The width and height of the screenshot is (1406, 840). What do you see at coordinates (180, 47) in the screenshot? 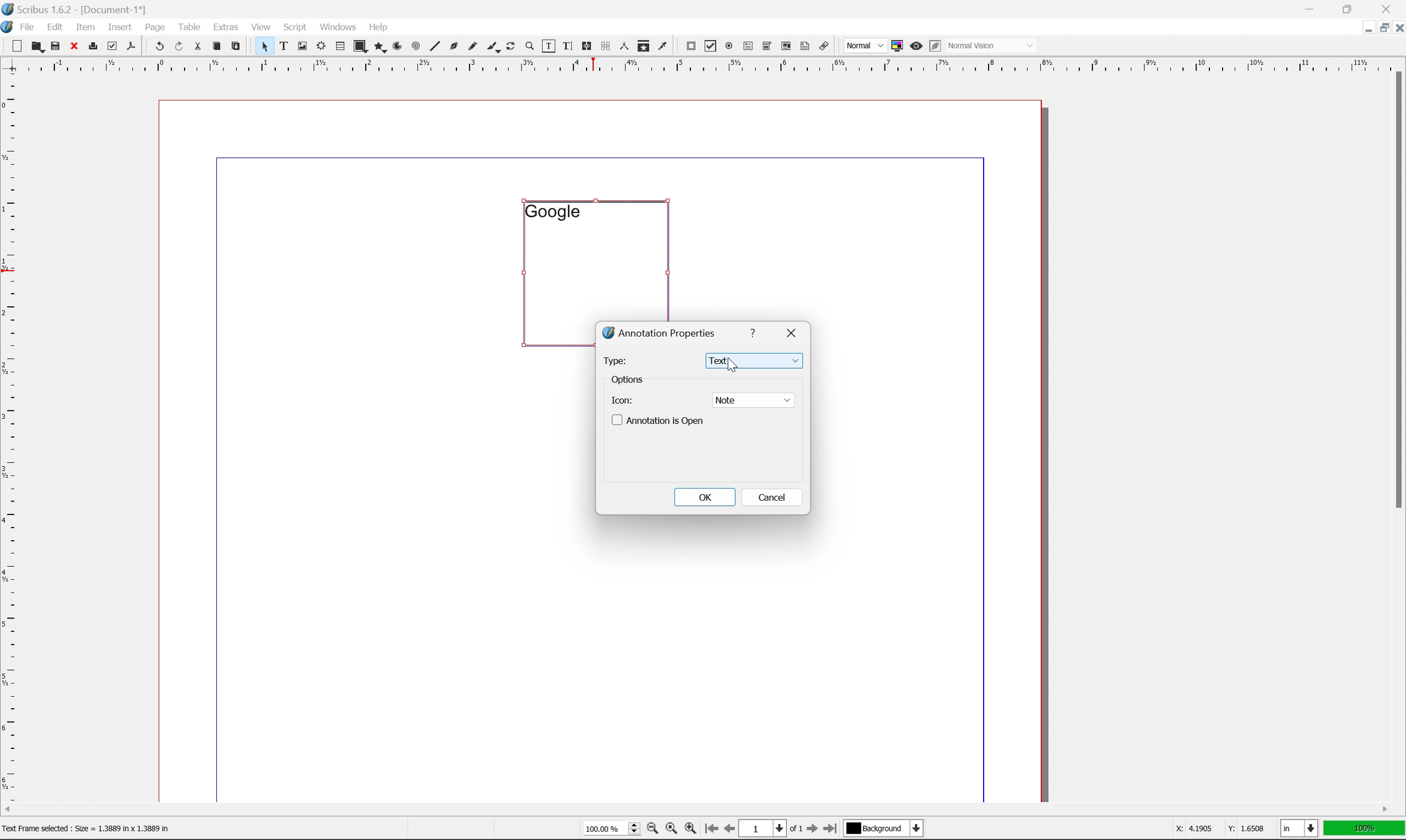
I see `redo` at bounding box center [180, 47].